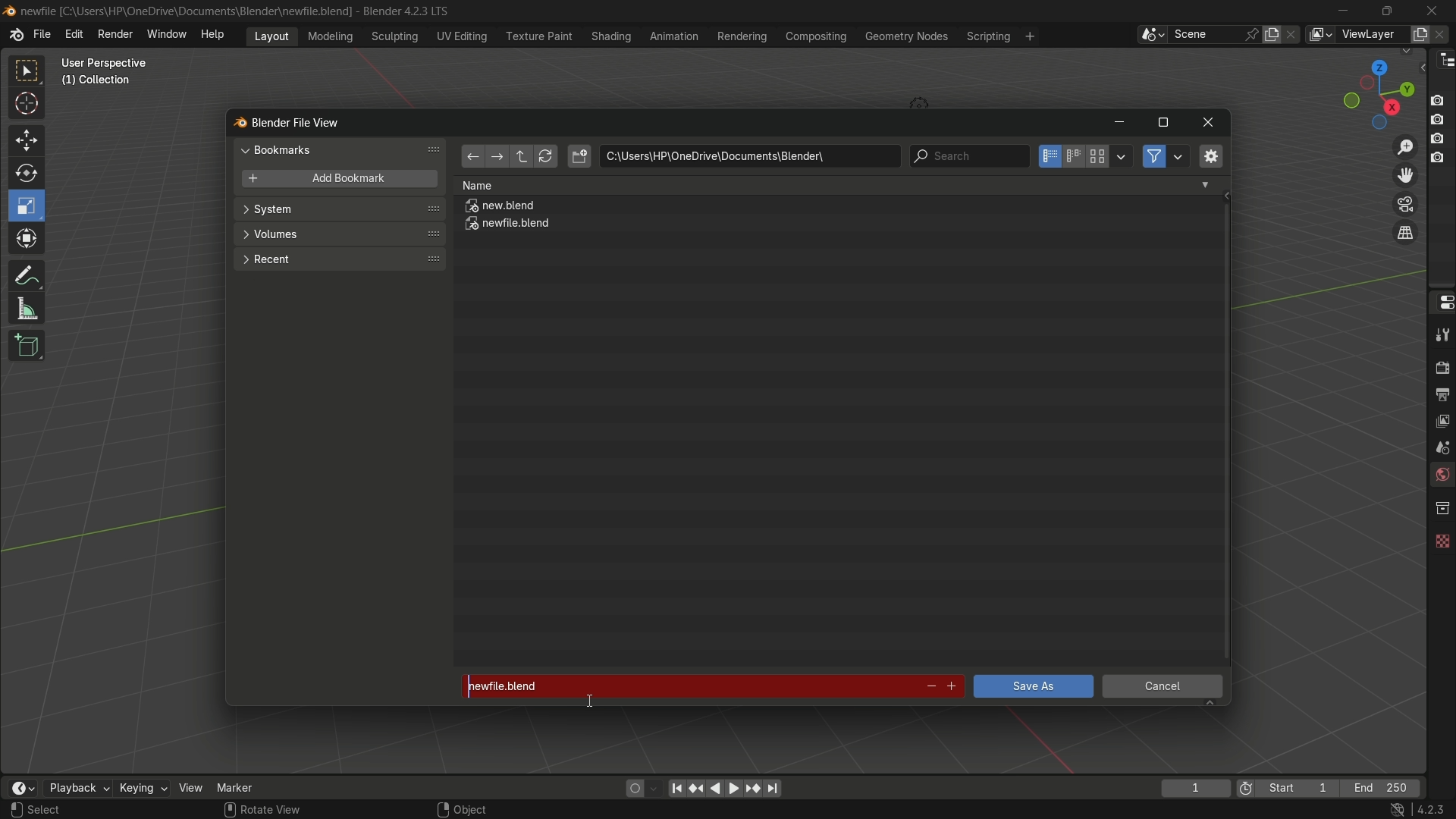 This screenshot has width=1456, height=819. I want to click on parent directory, so click(523, 156).